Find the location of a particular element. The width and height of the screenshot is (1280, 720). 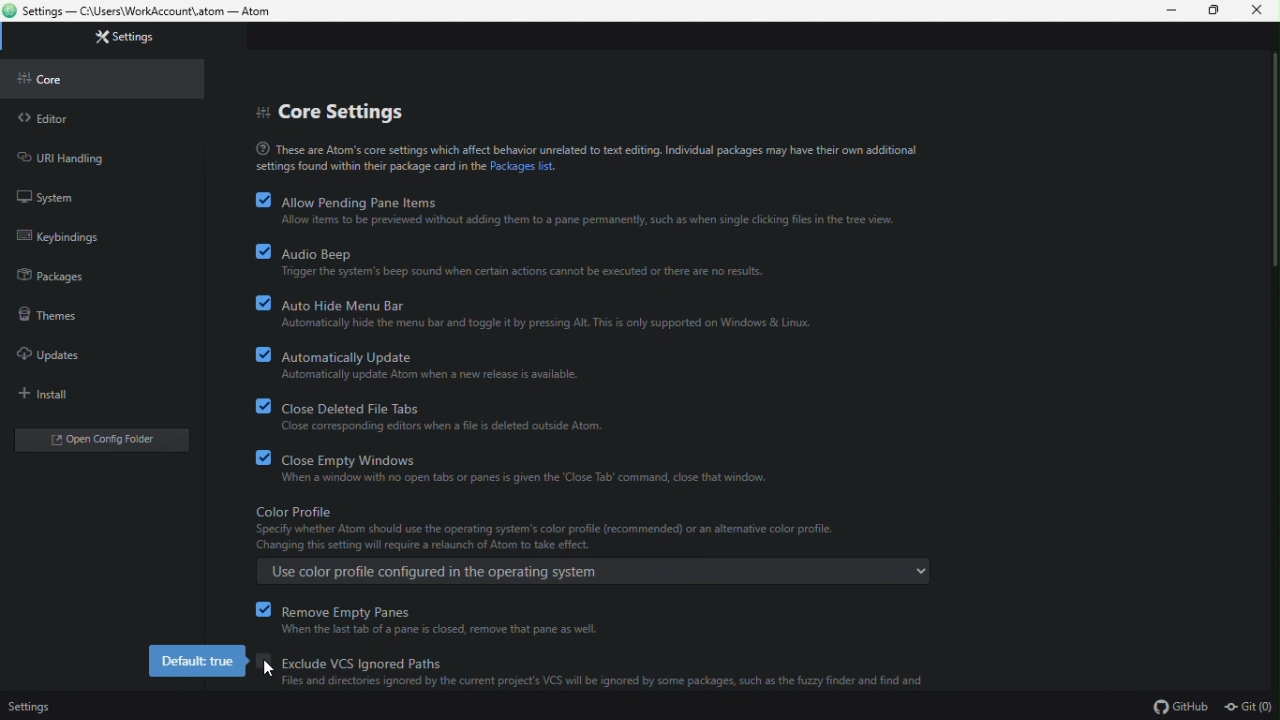

checkbox is located at coordinates (253, 304).